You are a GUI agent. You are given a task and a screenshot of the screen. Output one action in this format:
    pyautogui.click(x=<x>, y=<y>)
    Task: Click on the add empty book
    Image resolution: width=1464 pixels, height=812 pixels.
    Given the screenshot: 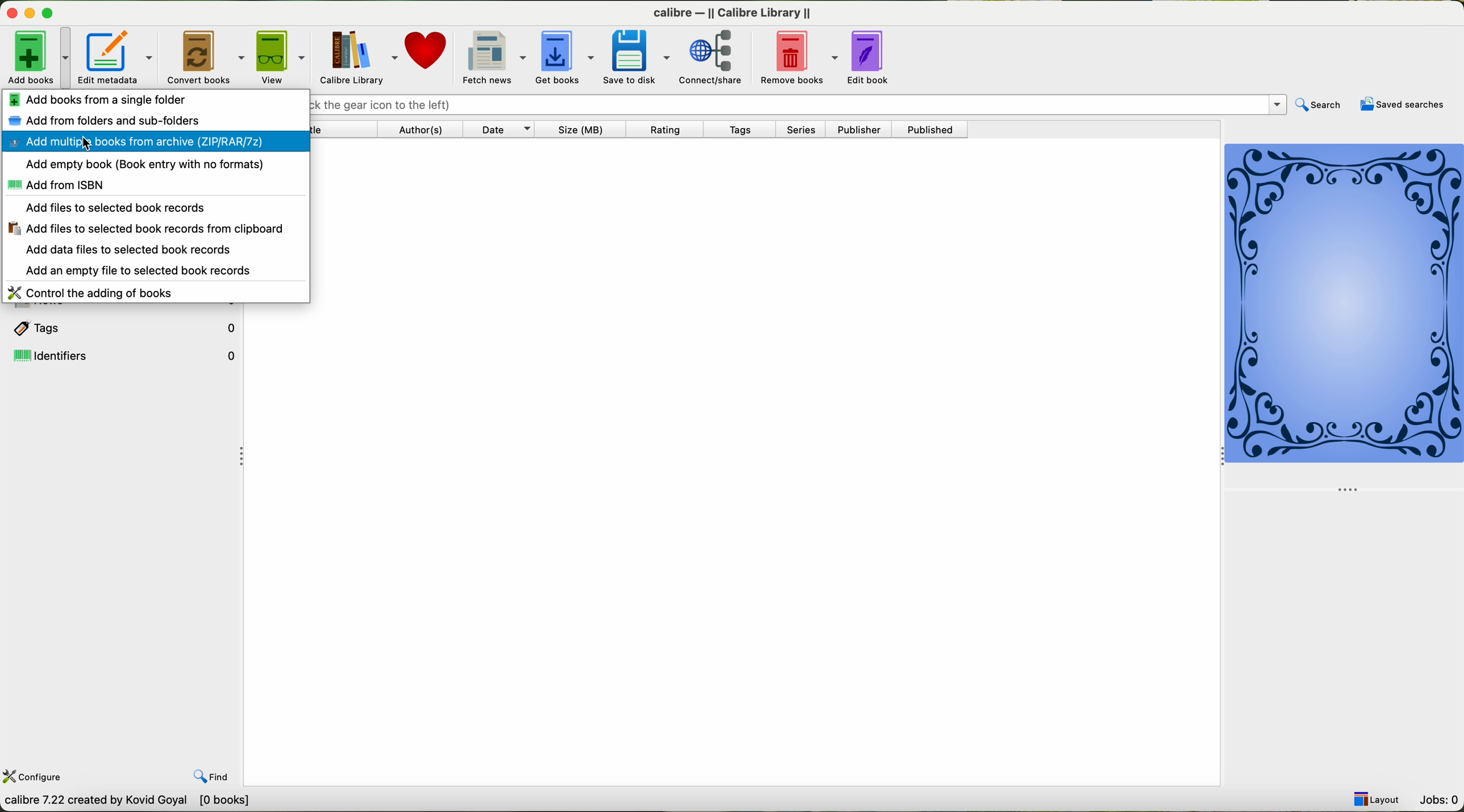 What is the action you would take?
    pyautogui.click(x=145, y=164)
    